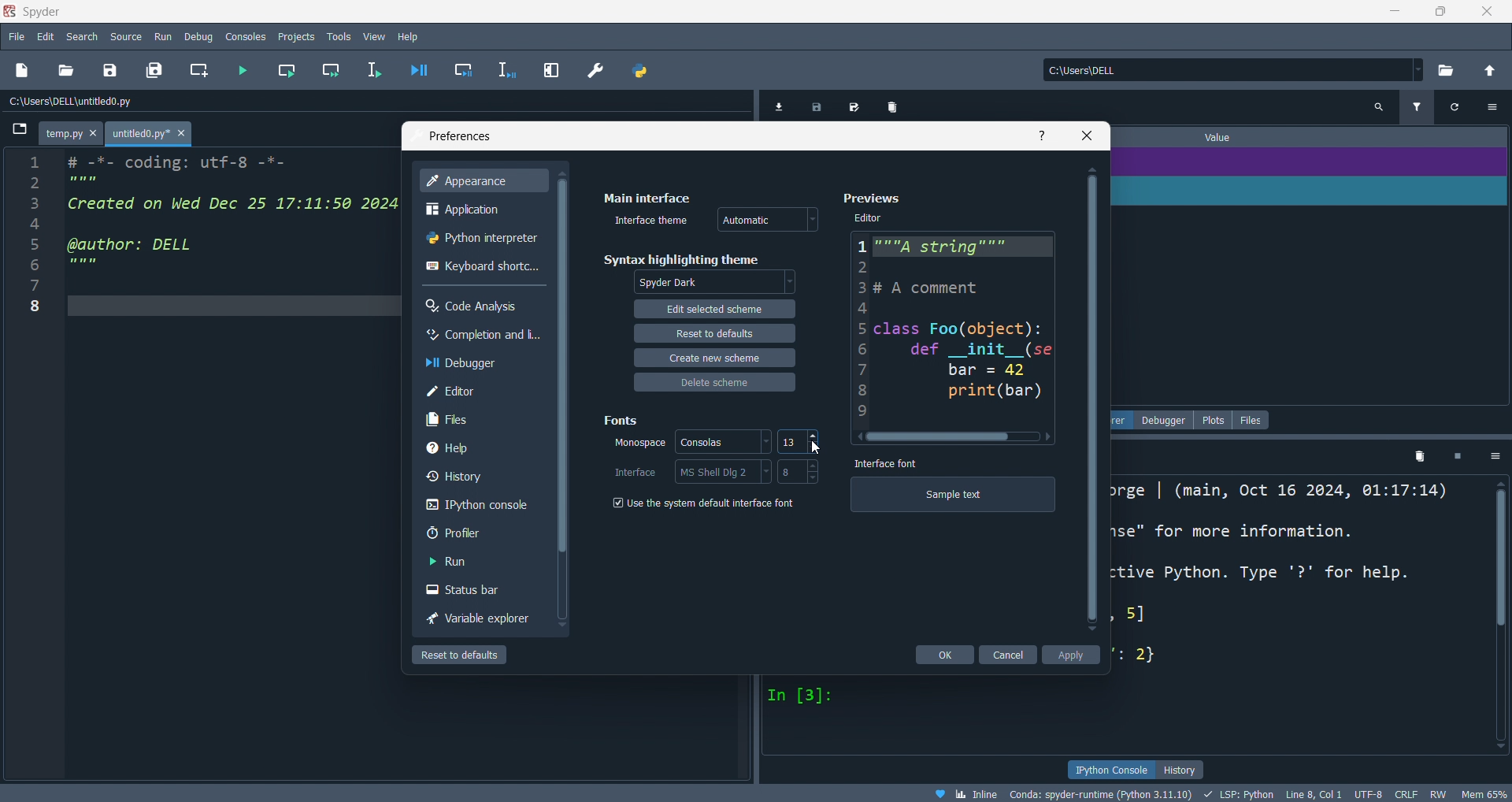 This screenshot has height=802, width=1512. I want to click on tools, so click(335, 38).